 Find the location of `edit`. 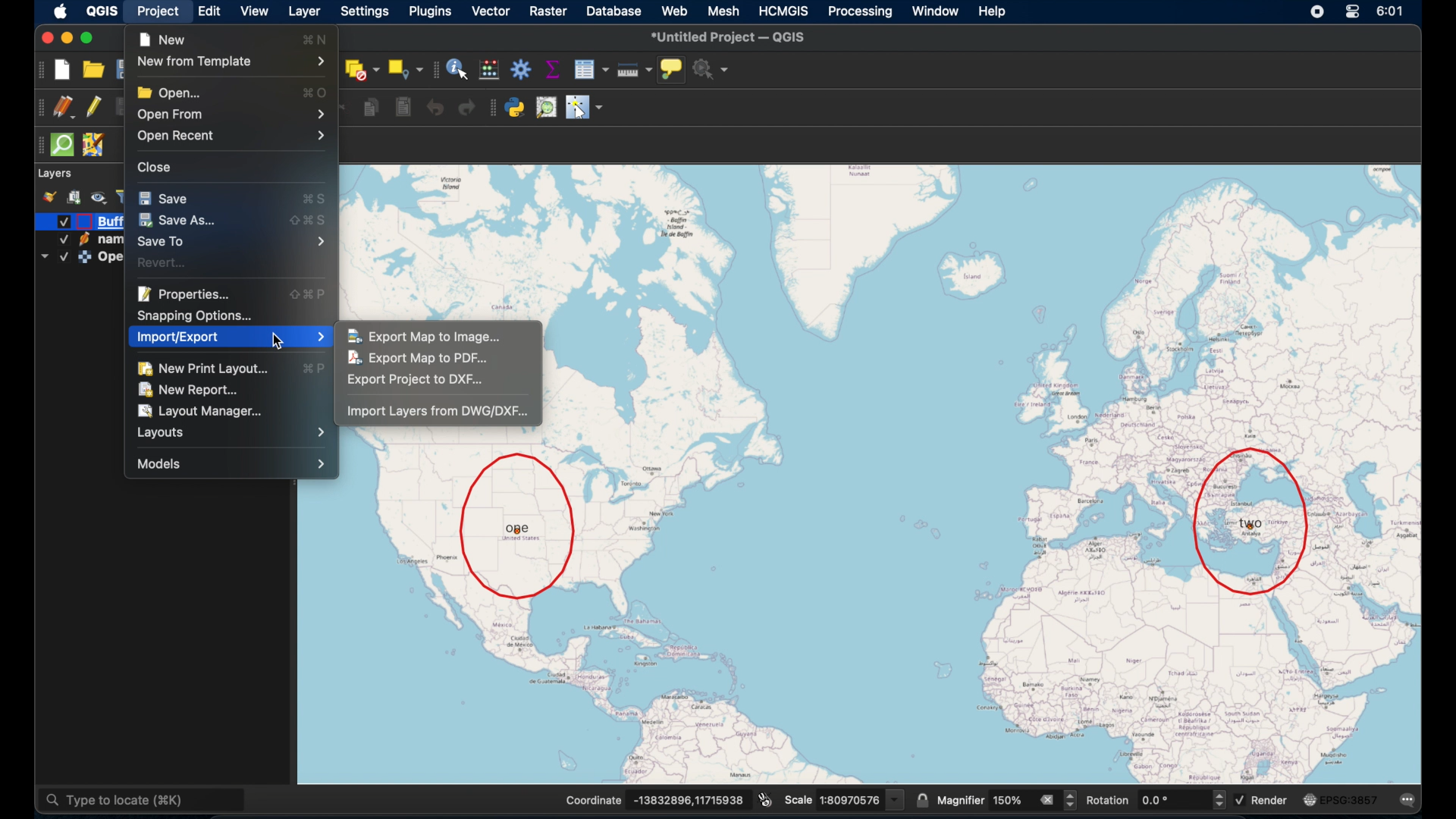

edit is located at coordinates (211, 11).